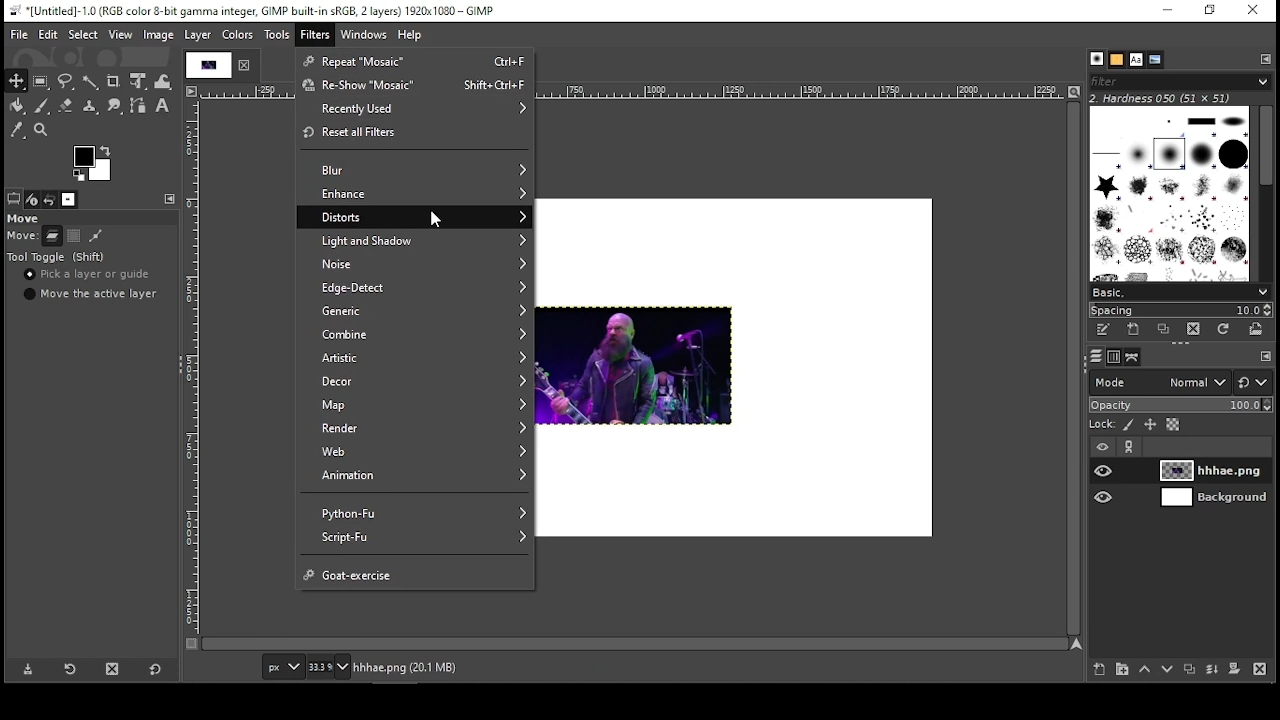 This screenshot has height=720, width=1280. What do you see at coordinates (44, 106) in the screenshot?
I see `paint brush tool` at bounding box center [44, 106].